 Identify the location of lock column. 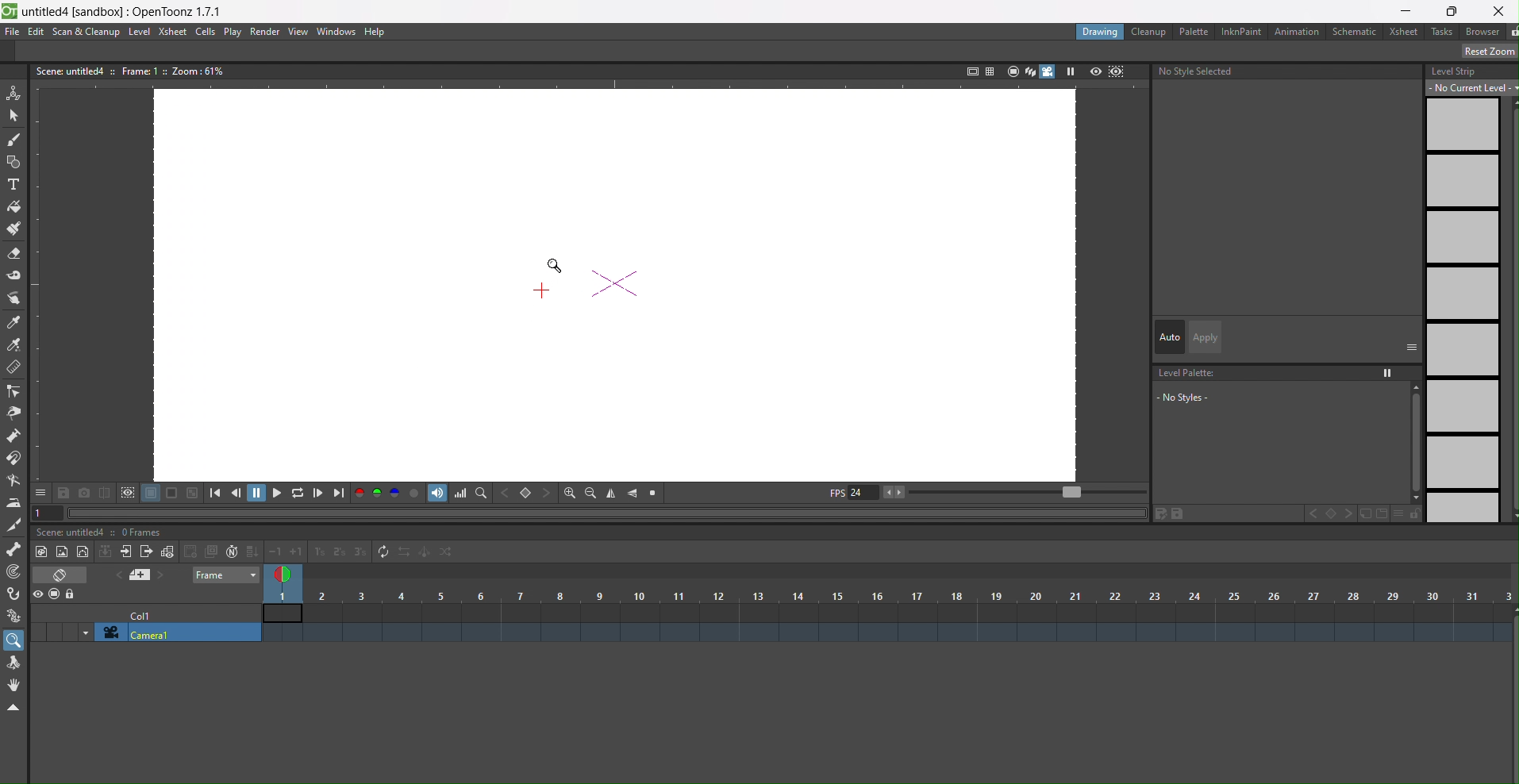
(71, 595).